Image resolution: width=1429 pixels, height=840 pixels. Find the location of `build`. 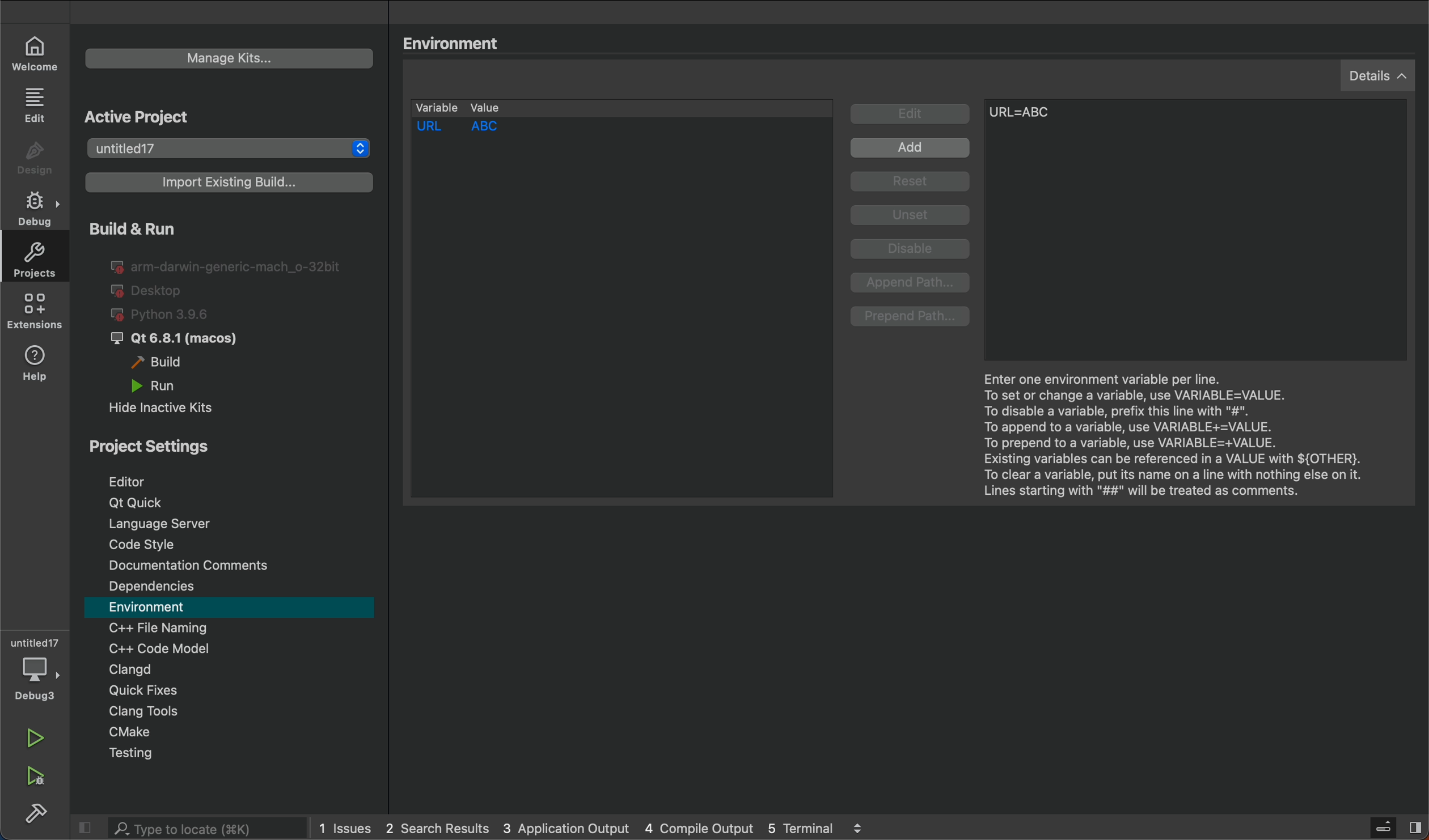

build is located at coordinates (166, 363).